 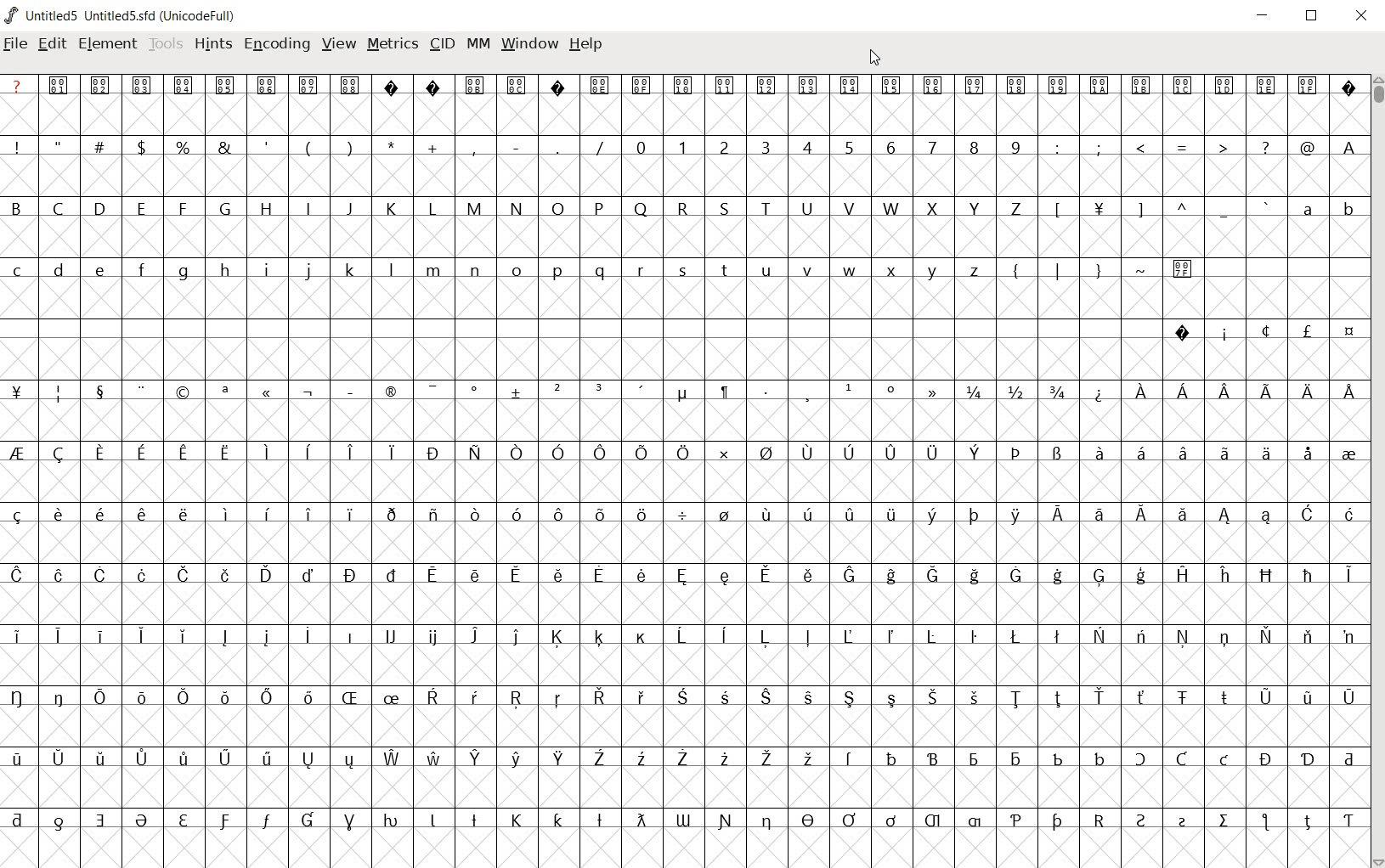 I want to click on Symbol, so click(x=639, y=392).